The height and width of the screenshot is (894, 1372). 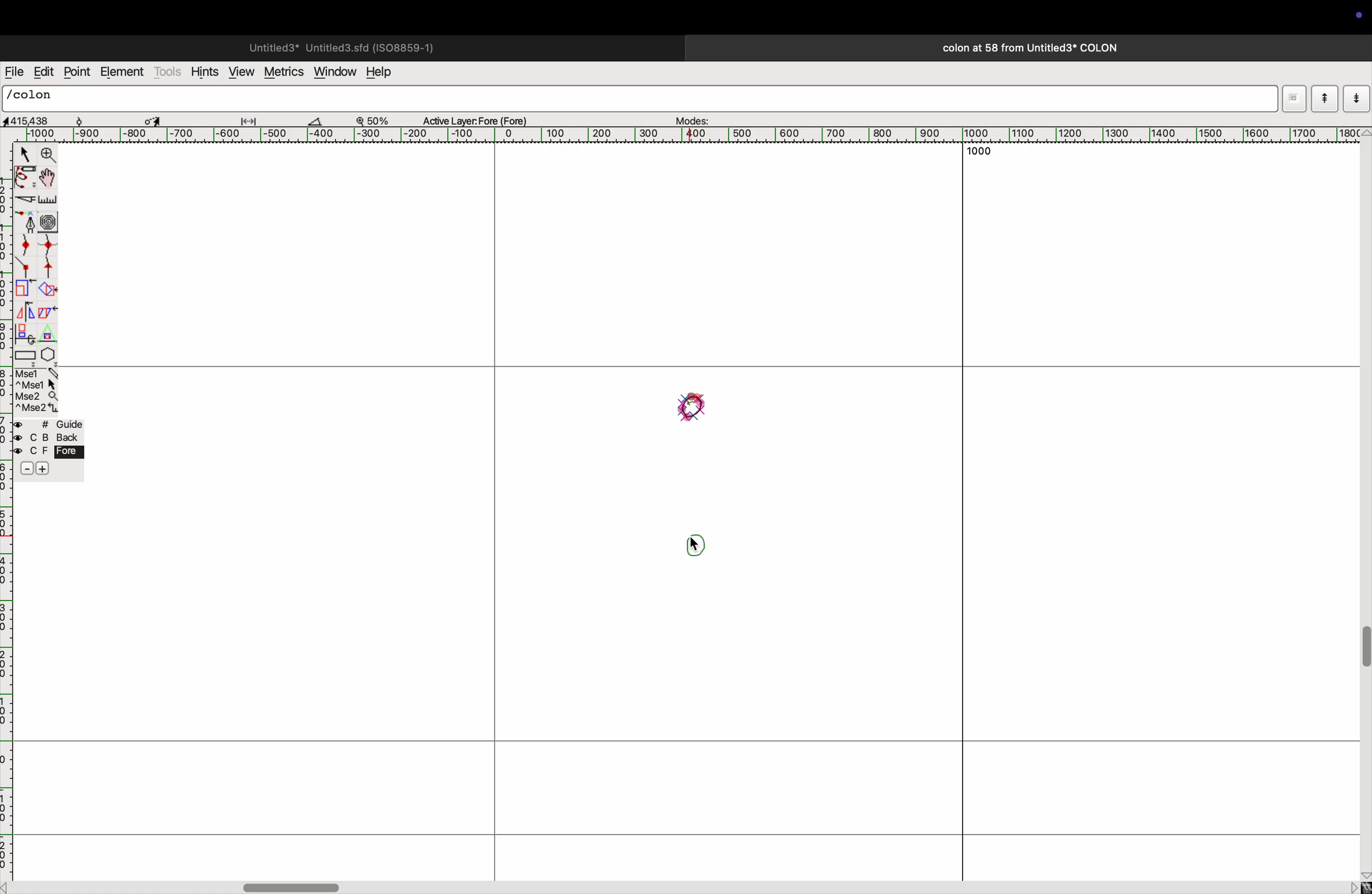 I want to click on Mode, so click(x=1294, y=99).